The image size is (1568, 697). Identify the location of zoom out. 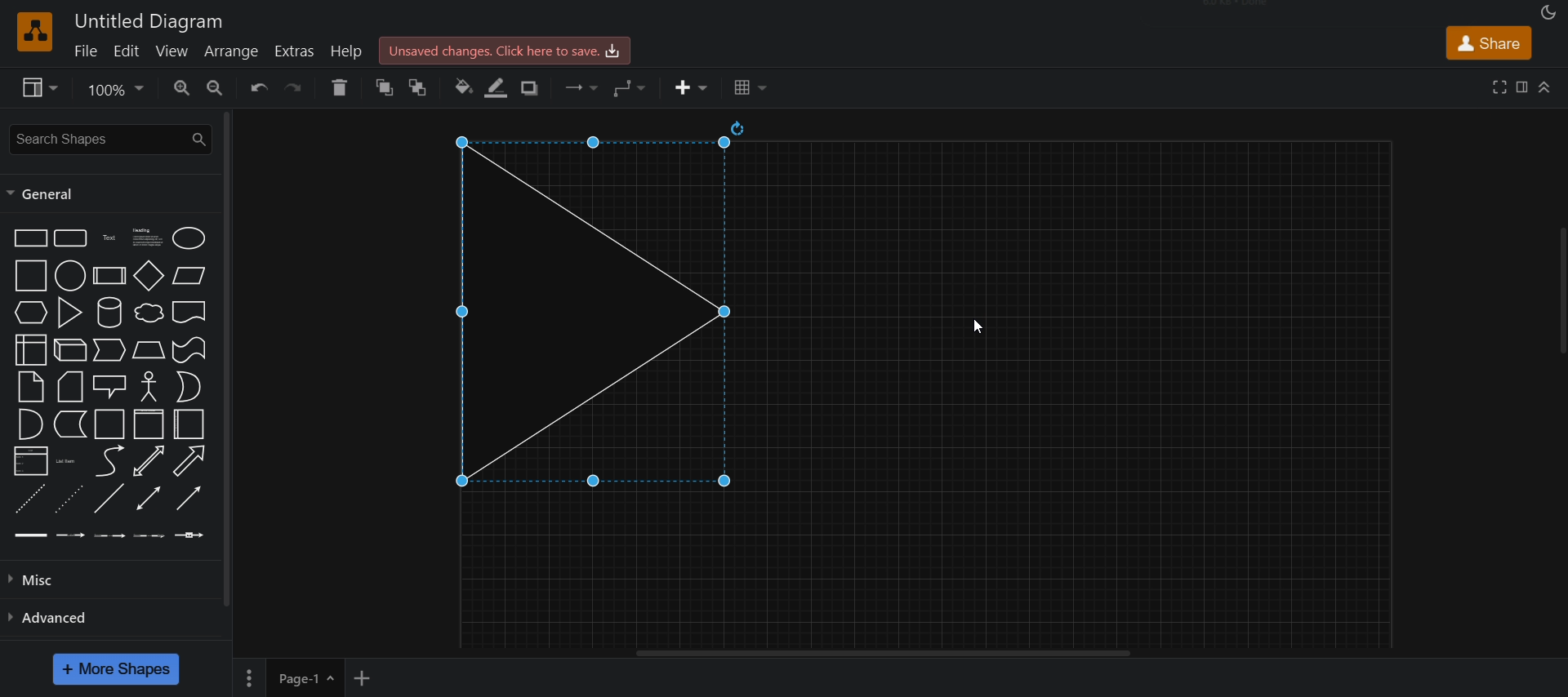
(218, 89).